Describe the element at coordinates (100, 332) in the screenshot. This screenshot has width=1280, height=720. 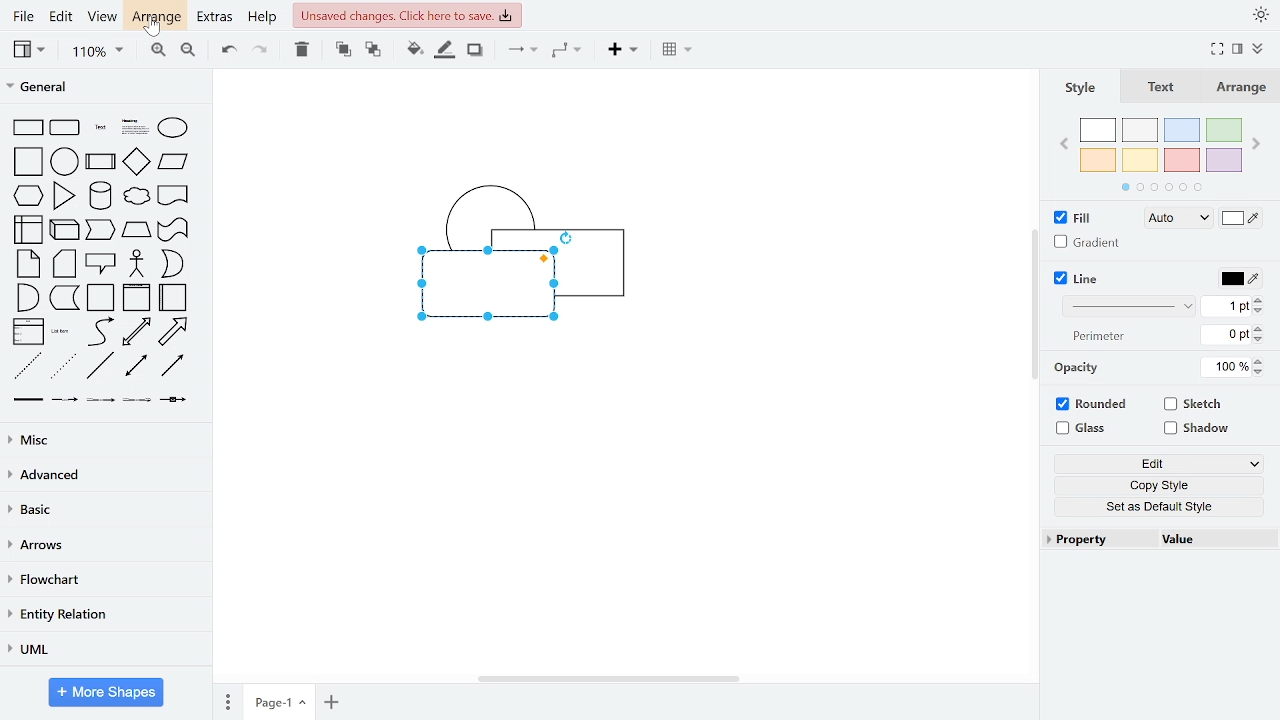
I see `curve` at that location.